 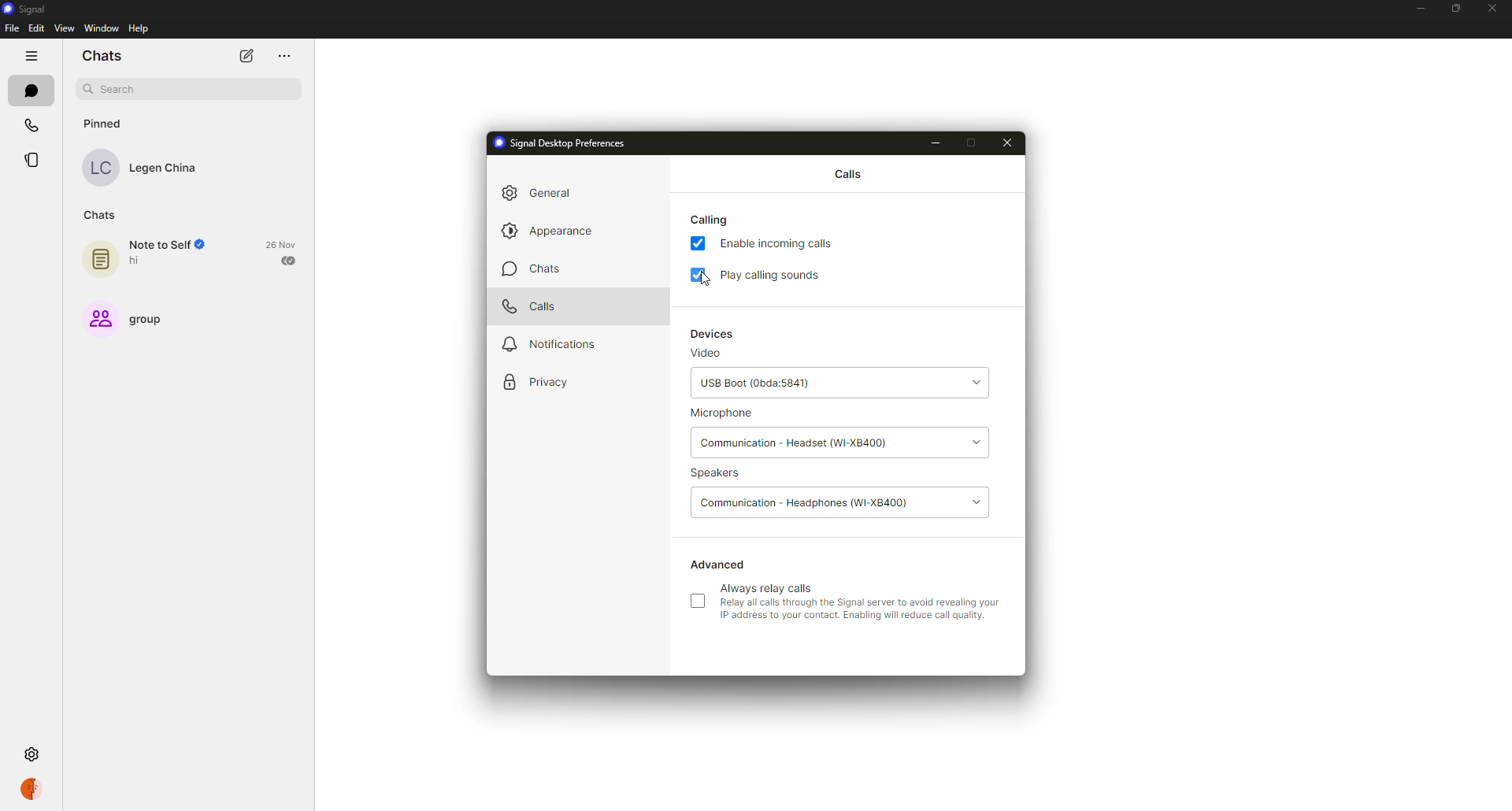 What do you see at coordinates (283, 56) in the screenshot?
I see `more` at bounding box center [283, 56].